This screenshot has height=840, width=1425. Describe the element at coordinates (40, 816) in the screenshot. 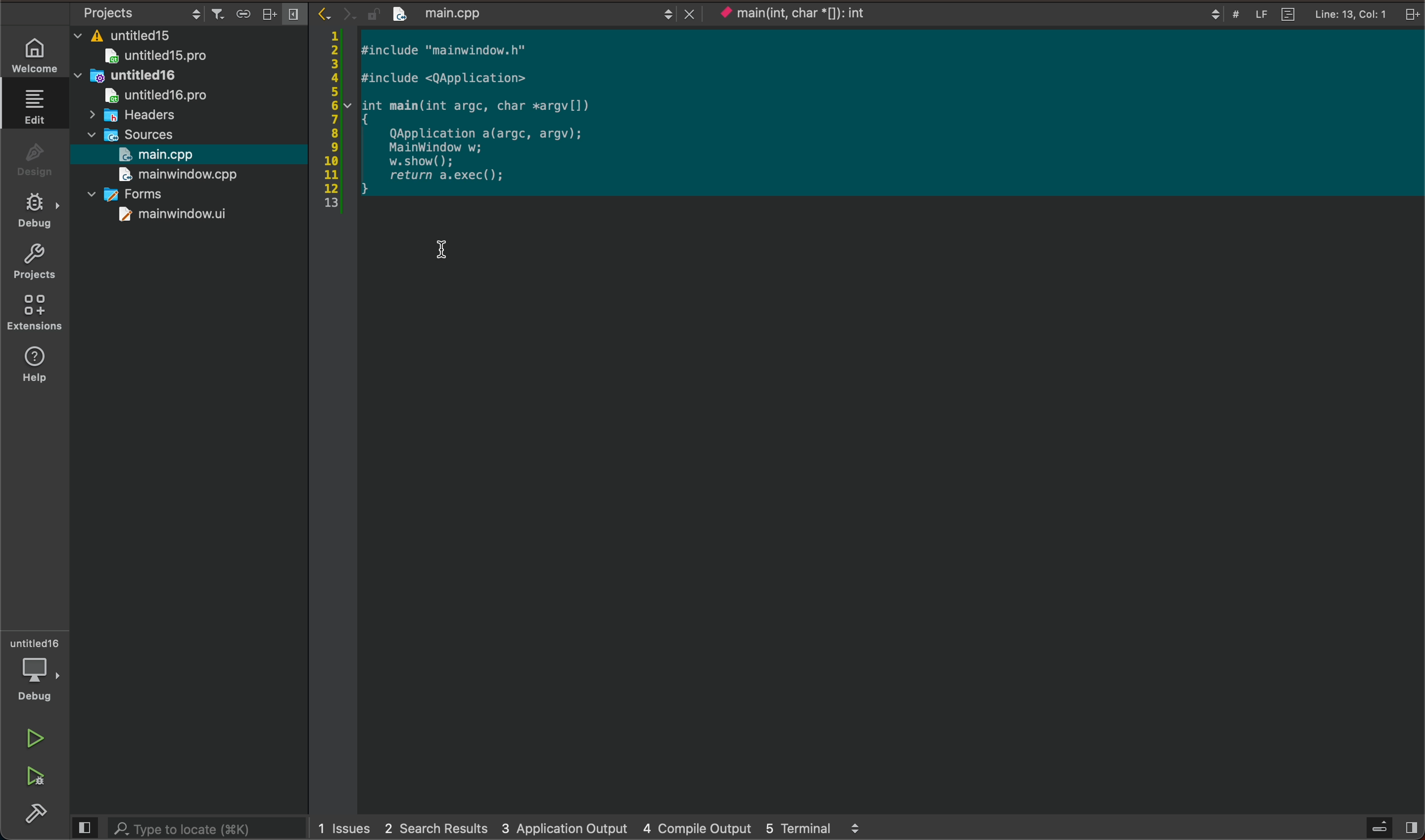

I see `build` at that location.